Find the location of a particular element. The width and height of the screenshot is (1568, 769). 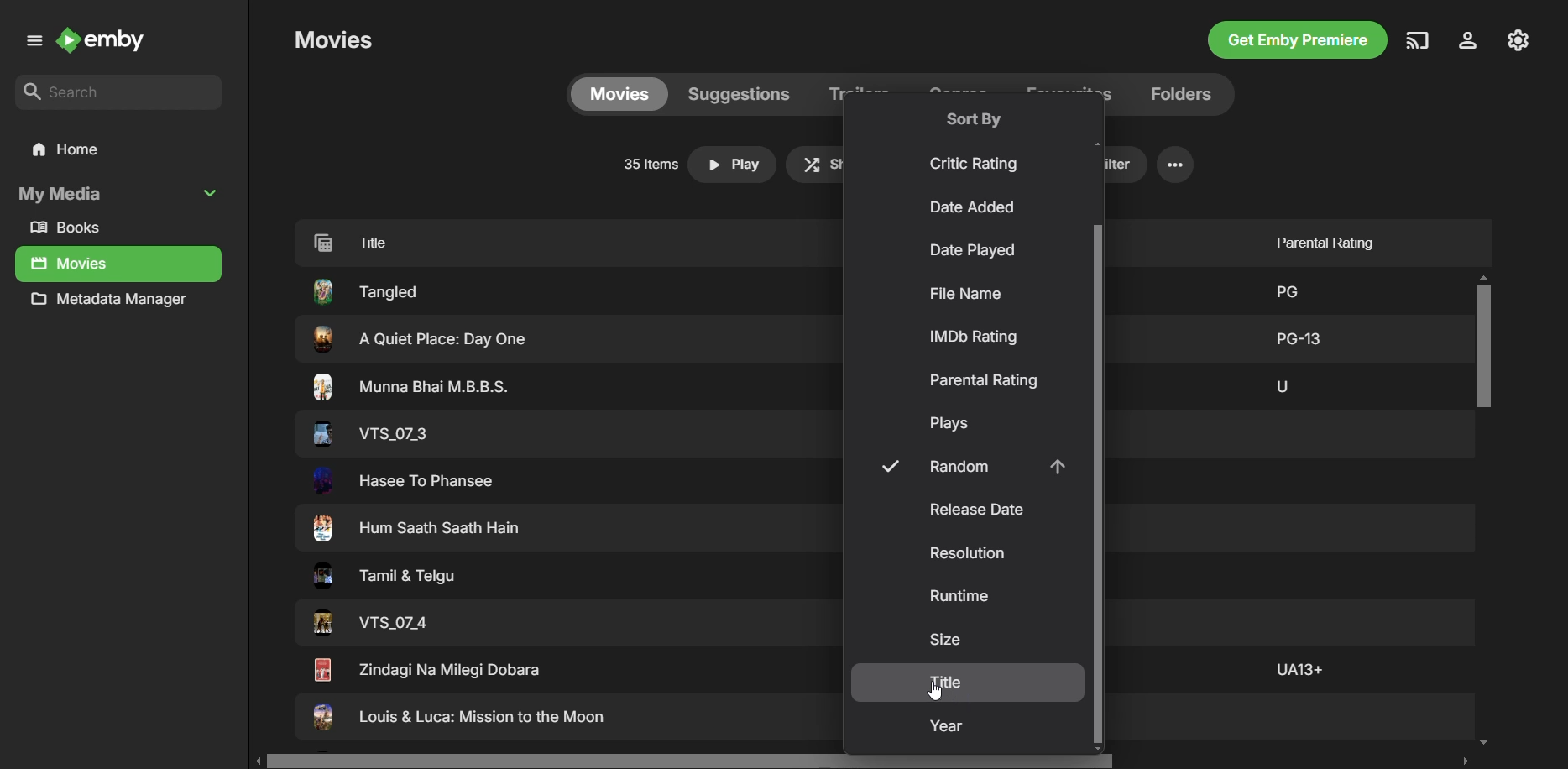

Resolution is located at coordinates (970, 554).